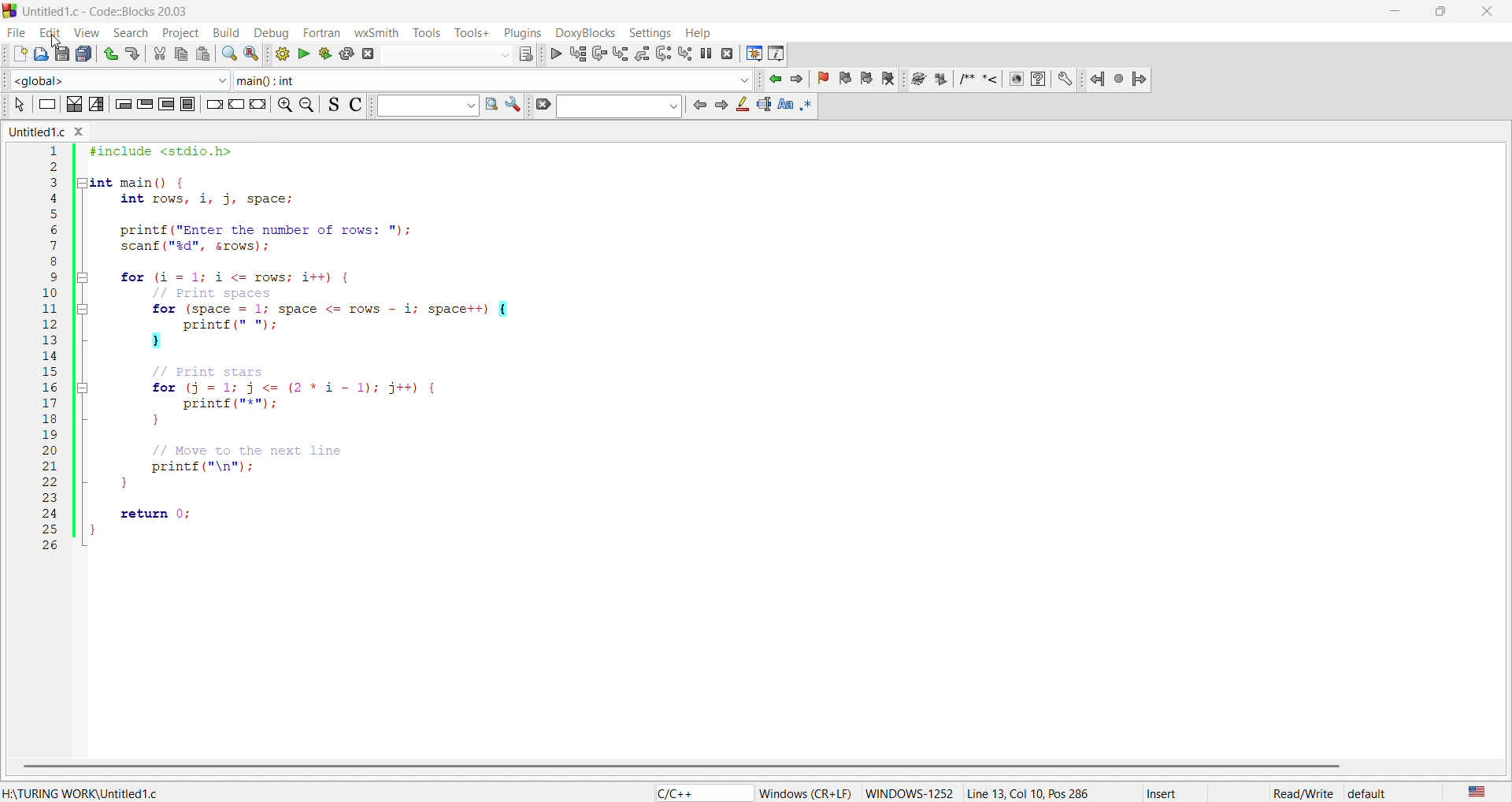  Describe the element at coordinates (1097, 80) in the screenshot. I see `jump back` at that location.